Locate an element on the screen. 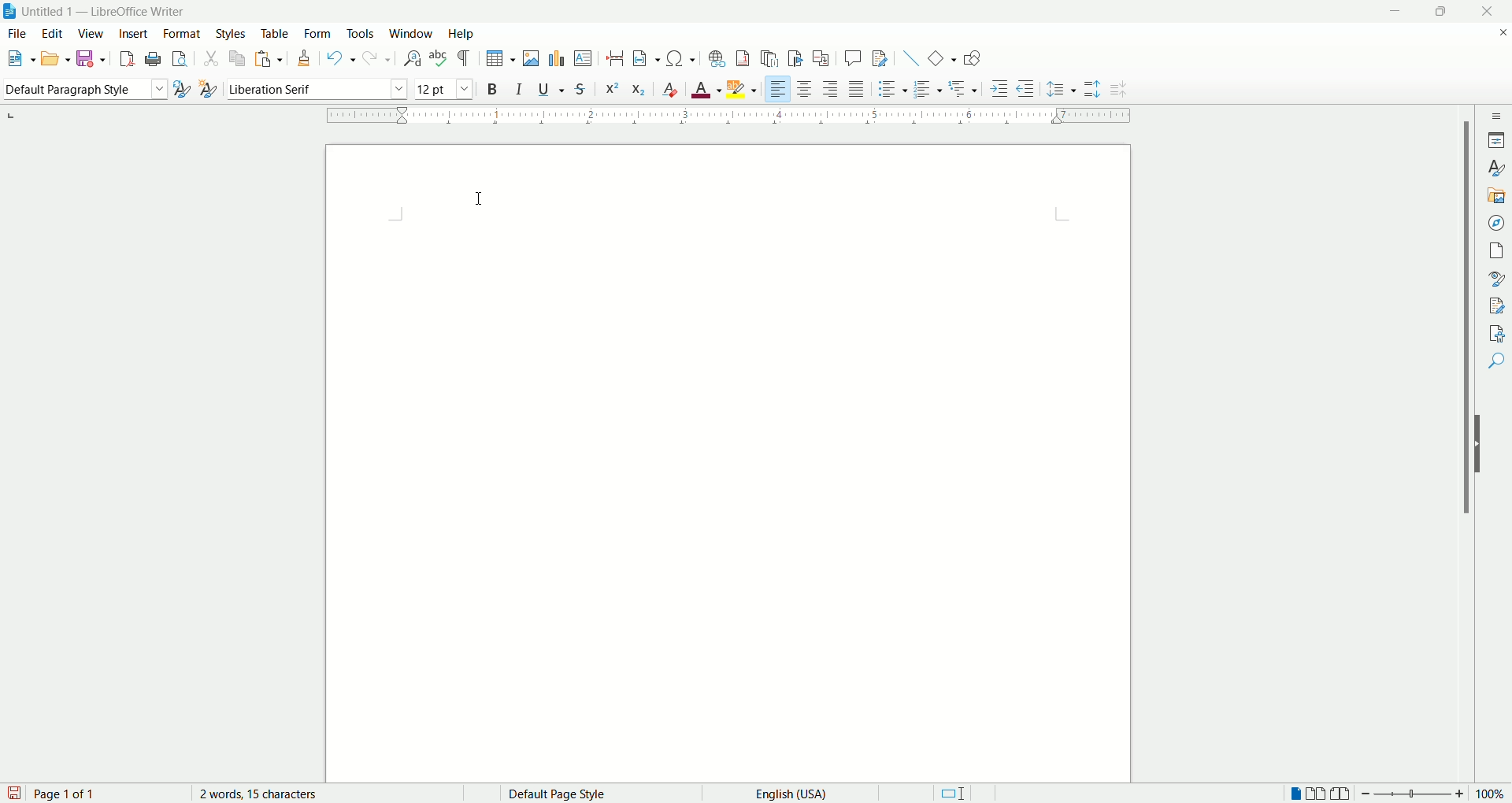 This screenshot has width=1512, height=803. insert footnote is located at coordinates (740, 60).